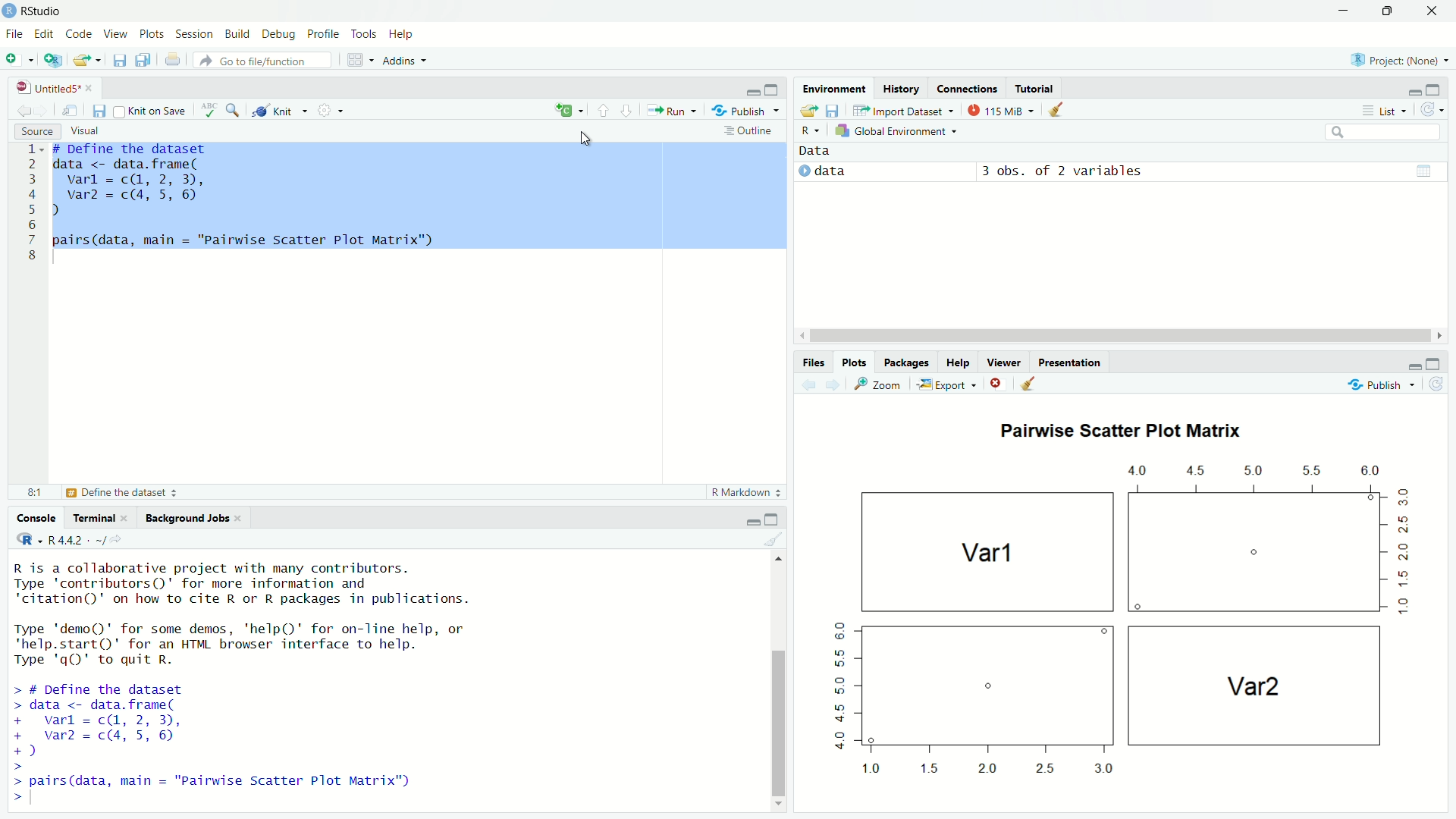 Image resolution: width=1456 pixels, height=819 pixels. I want to click on R Markdown, so click(746, 493).